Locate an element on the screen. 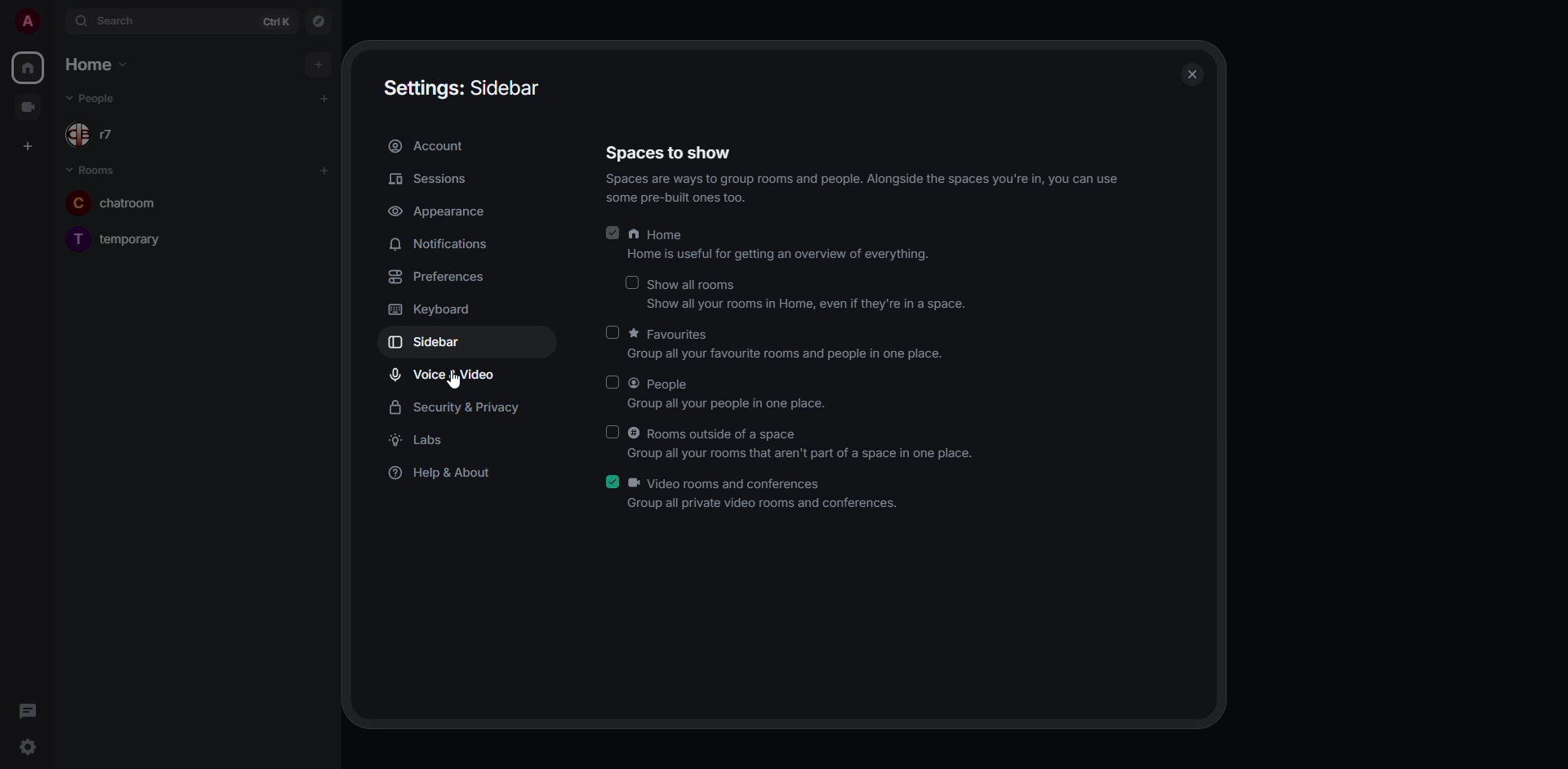  create space is located at coordinates (30, 145).